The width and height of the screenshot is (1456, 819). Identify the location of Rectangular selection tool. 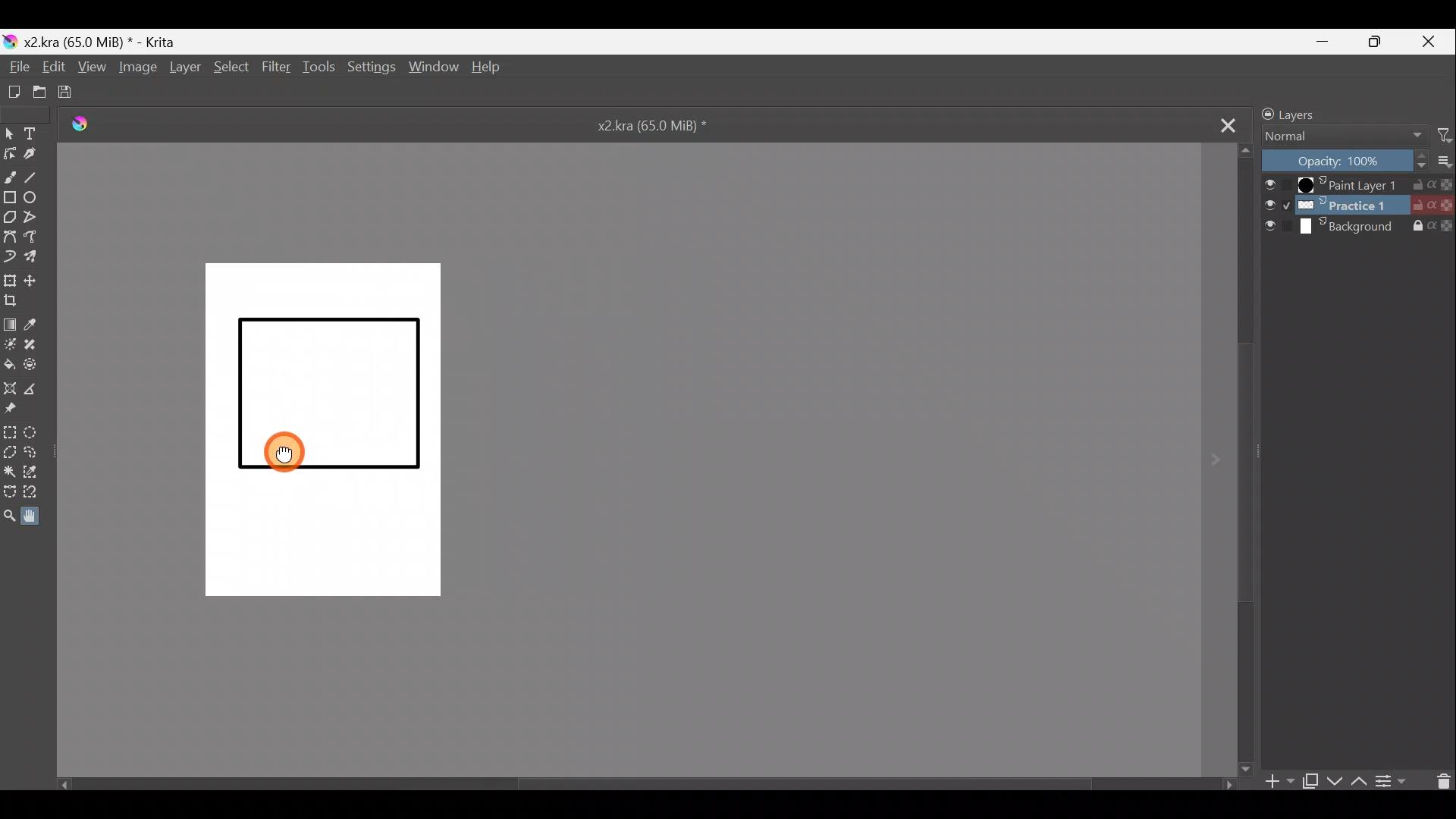
(11, 433).